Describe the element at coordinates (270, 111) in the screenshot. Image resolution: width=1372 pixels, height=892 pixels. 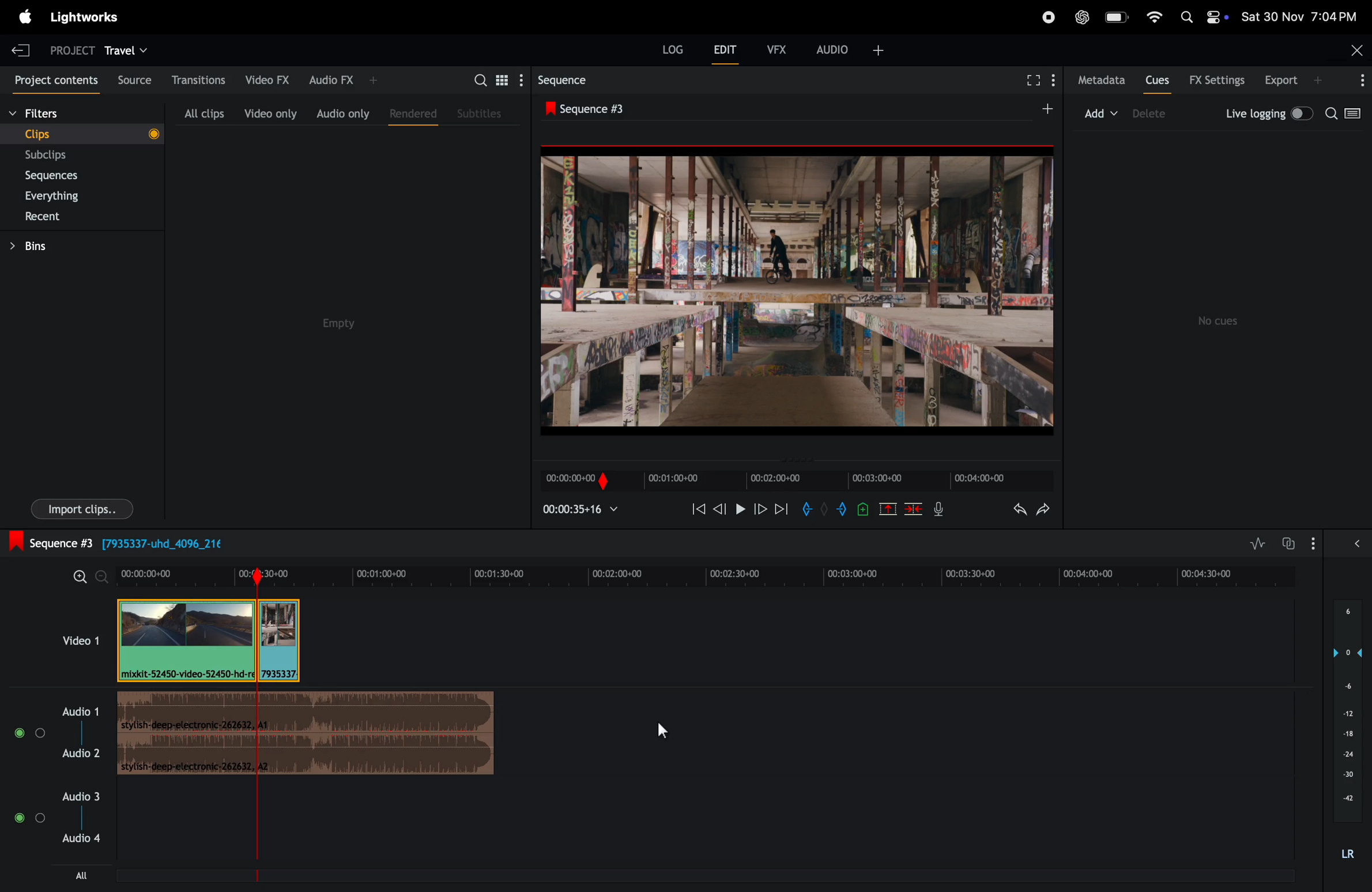
I see `videos only` at that location.